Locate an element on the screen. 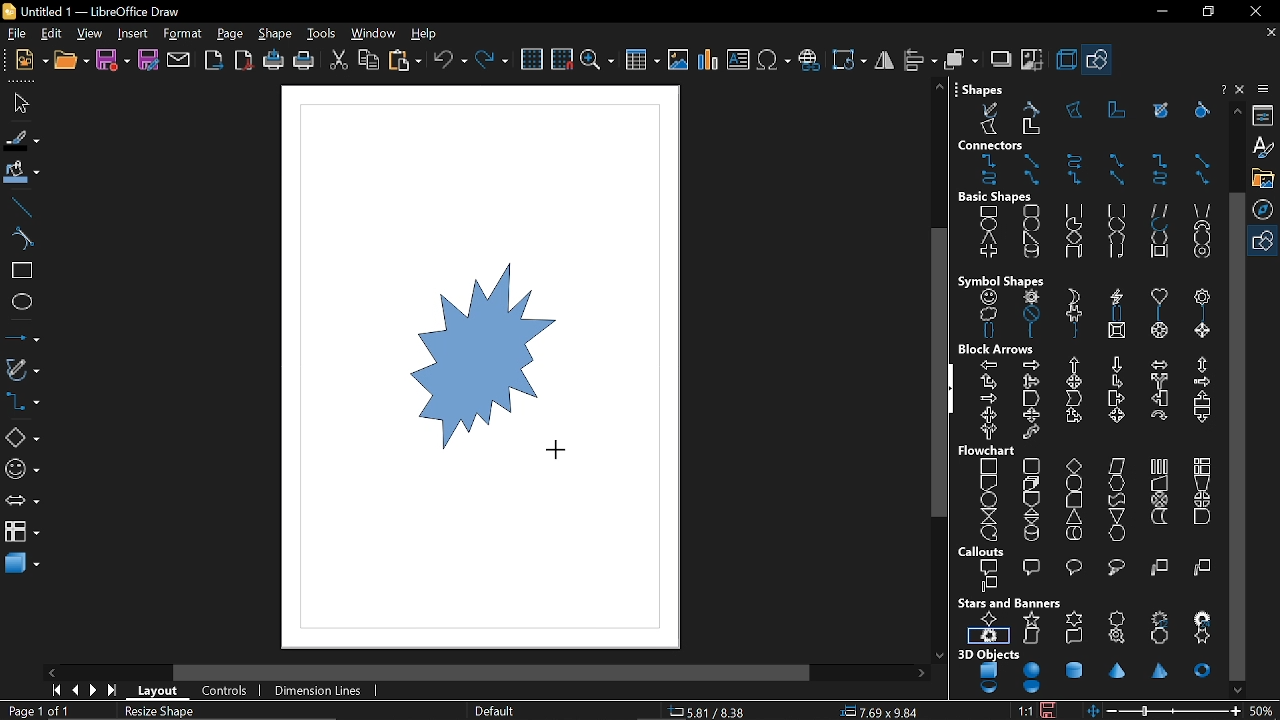 This screenshot has width=1280, height=720. save is located at coordinates (114, 59).